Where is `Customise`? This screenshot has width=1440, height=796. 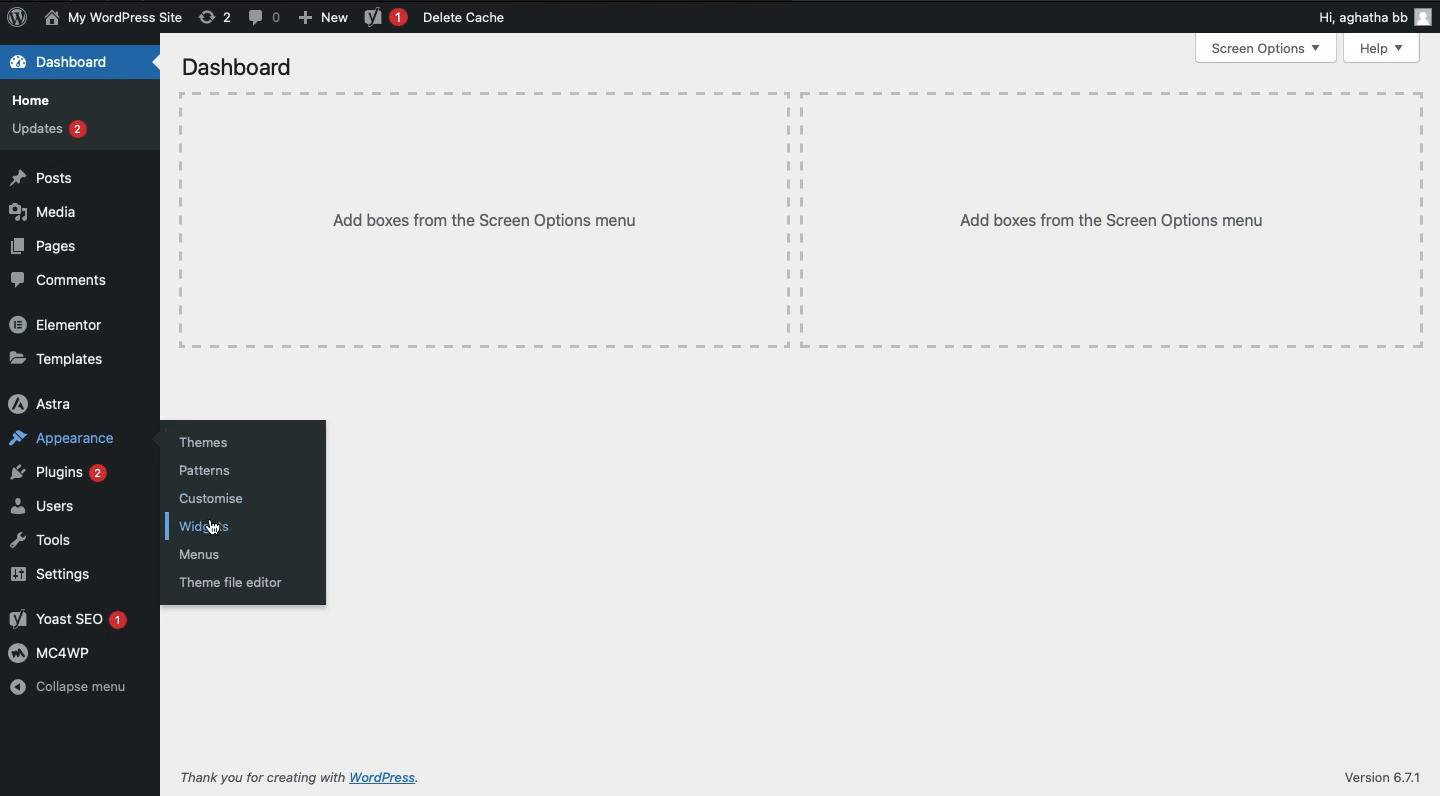 Customise is located at coordinates (216, 501).